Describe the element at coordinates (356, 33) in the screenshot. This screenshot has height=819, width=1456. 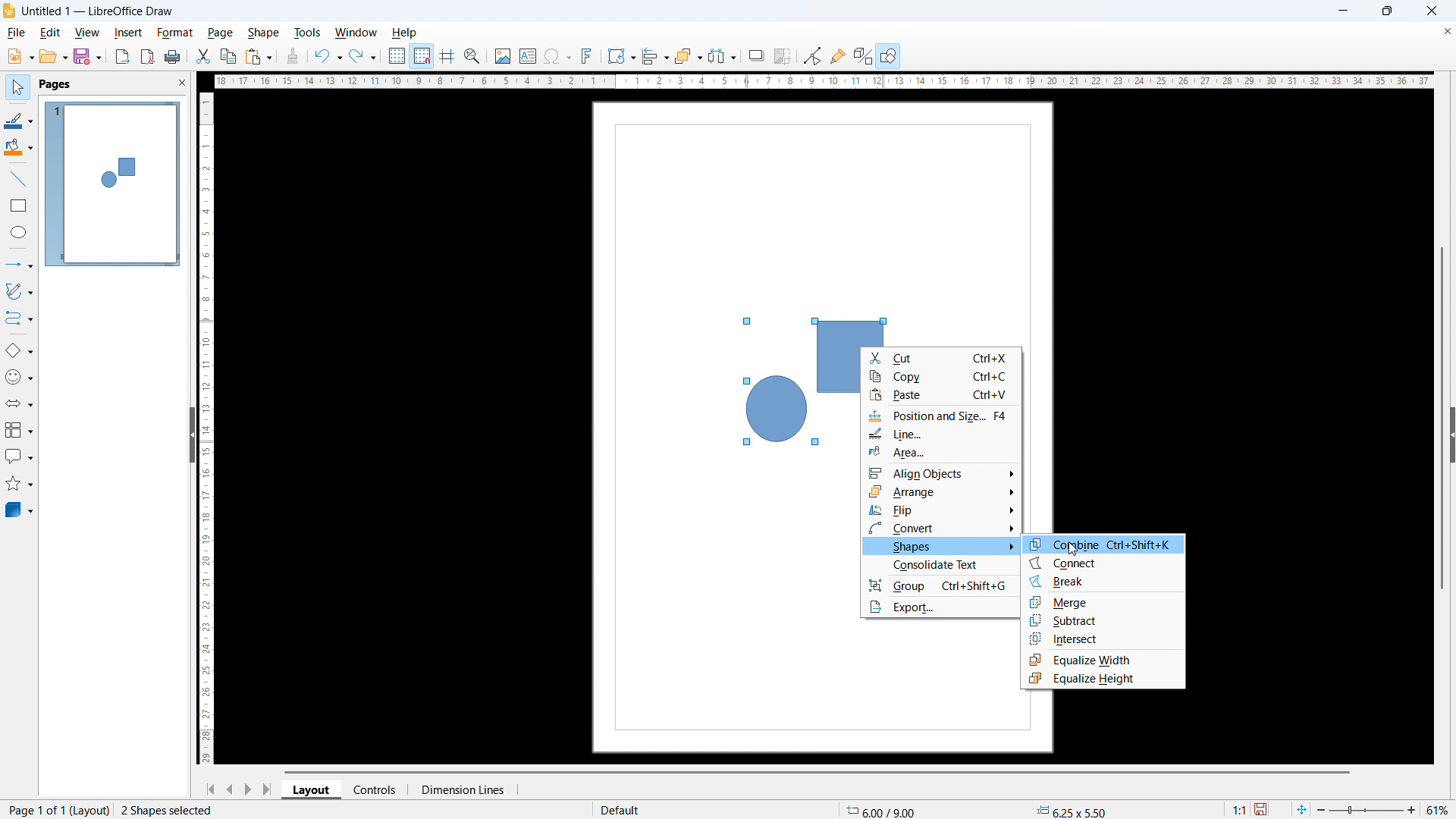
I see `window` at that location.